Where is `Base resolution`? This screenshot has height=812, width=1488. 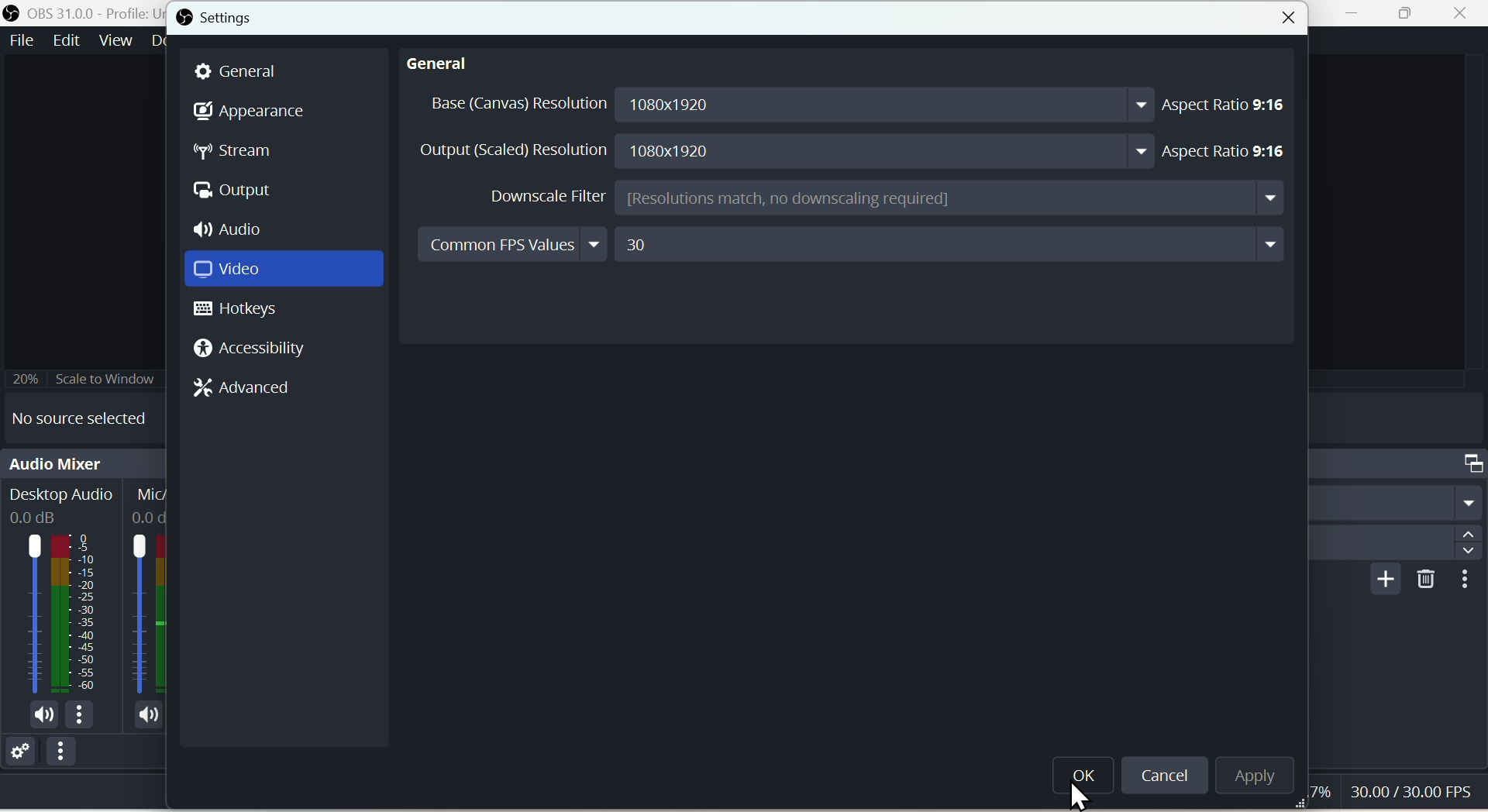
Base resolution is located at coordinates (785, 105).